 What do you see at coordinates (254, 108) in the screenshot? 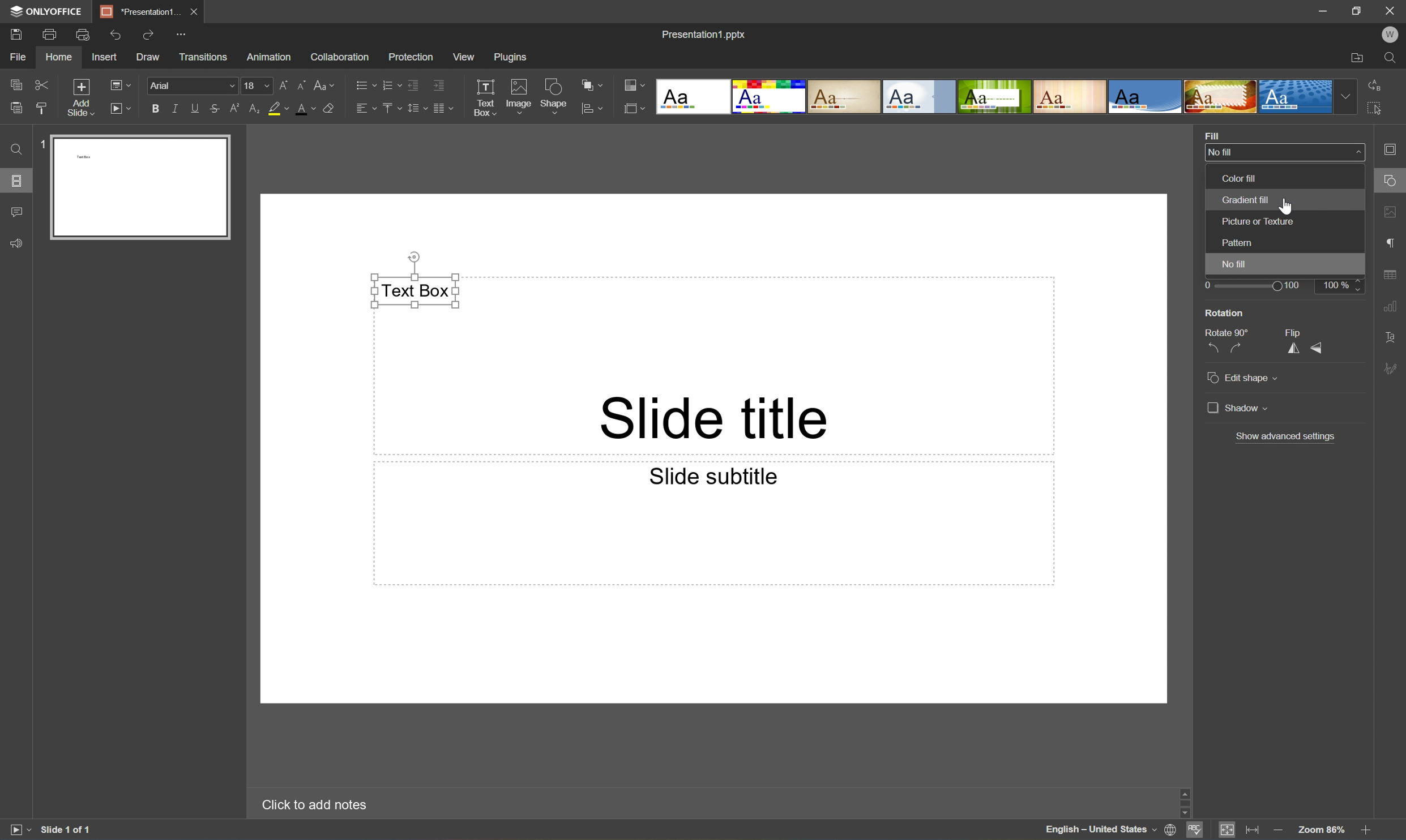
I see `Subscript` at bounding box center [254, 108].